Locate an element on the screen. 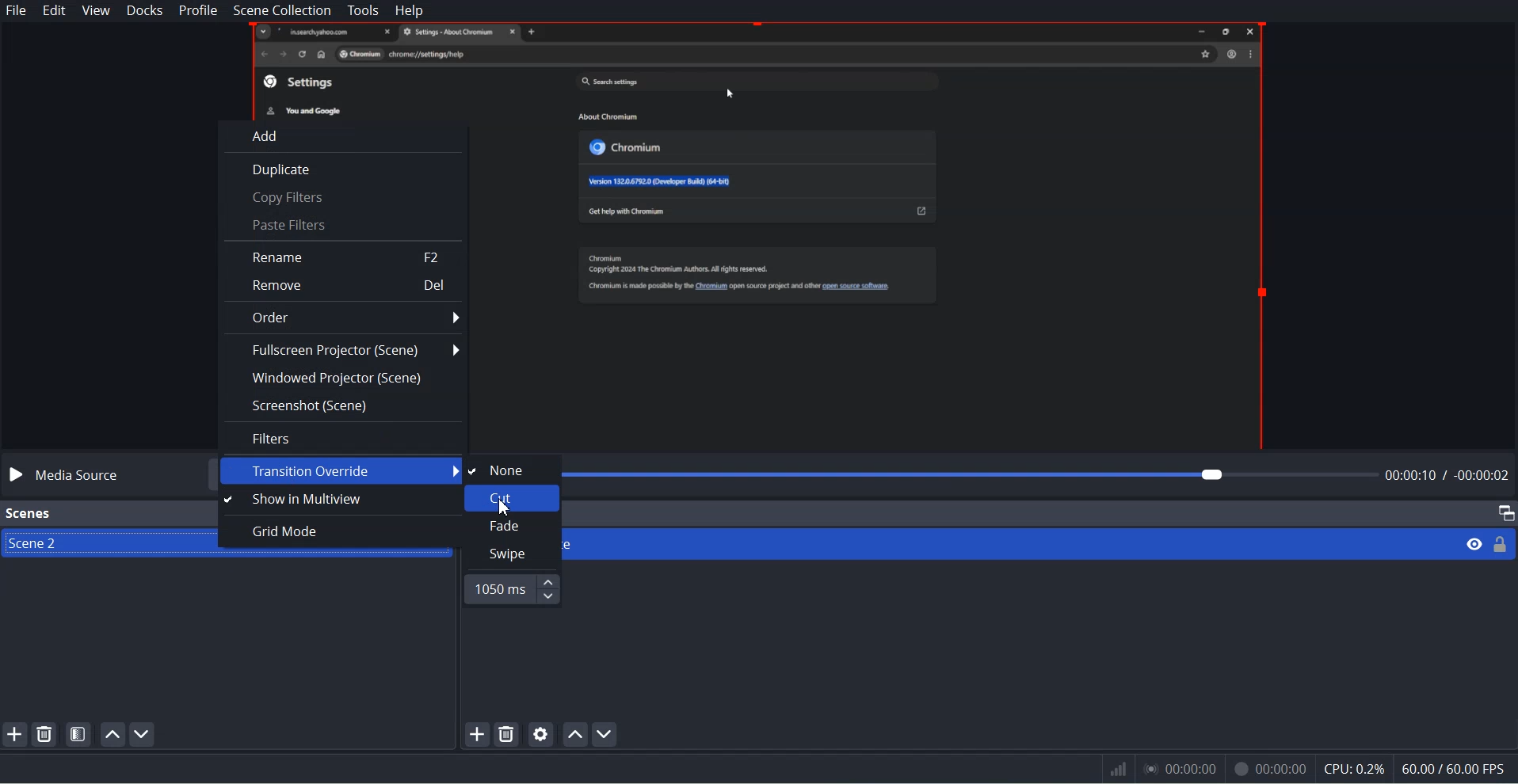 This screenshot has height=784, width=1518. swipe is located at coordinates (512, 554).